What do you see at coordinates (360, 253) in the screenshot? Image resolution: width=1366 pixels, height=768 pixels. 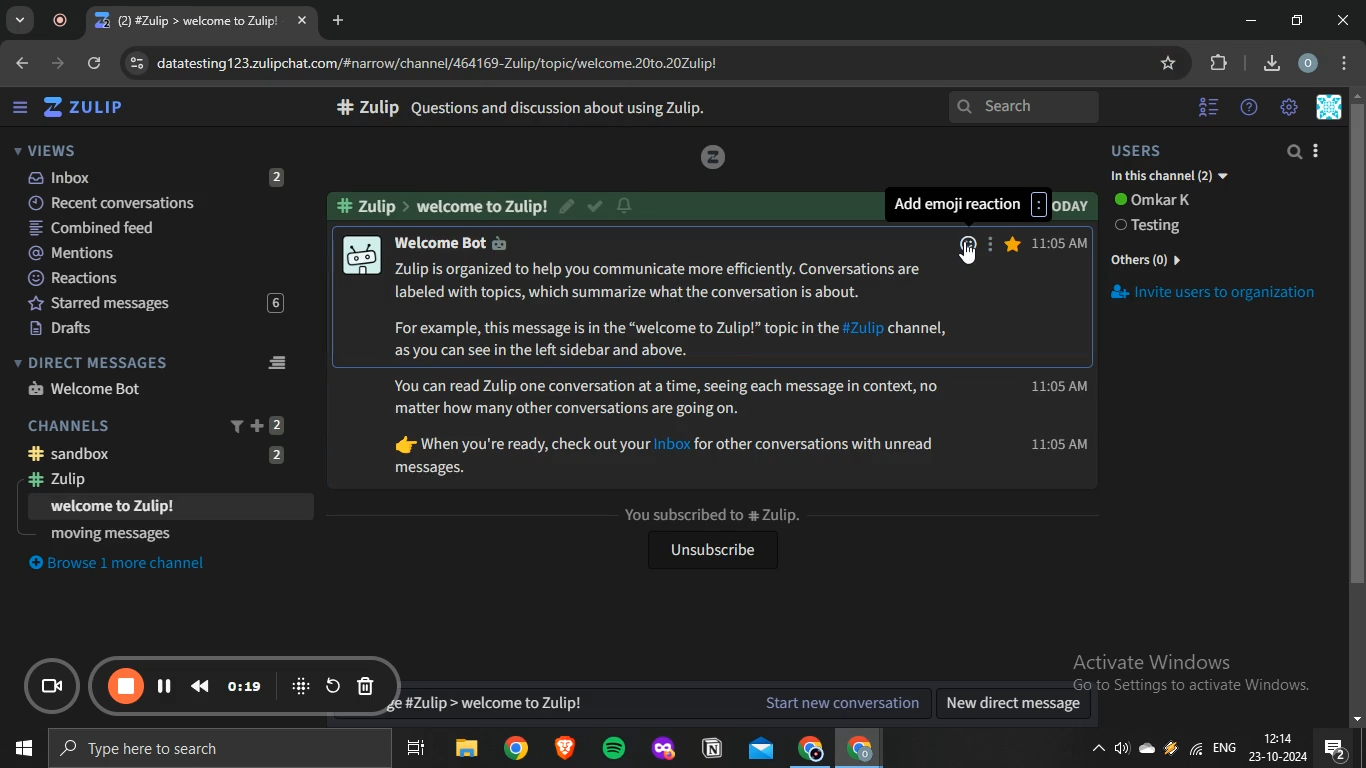 I see `channel image` at bounding box center [360, 253].